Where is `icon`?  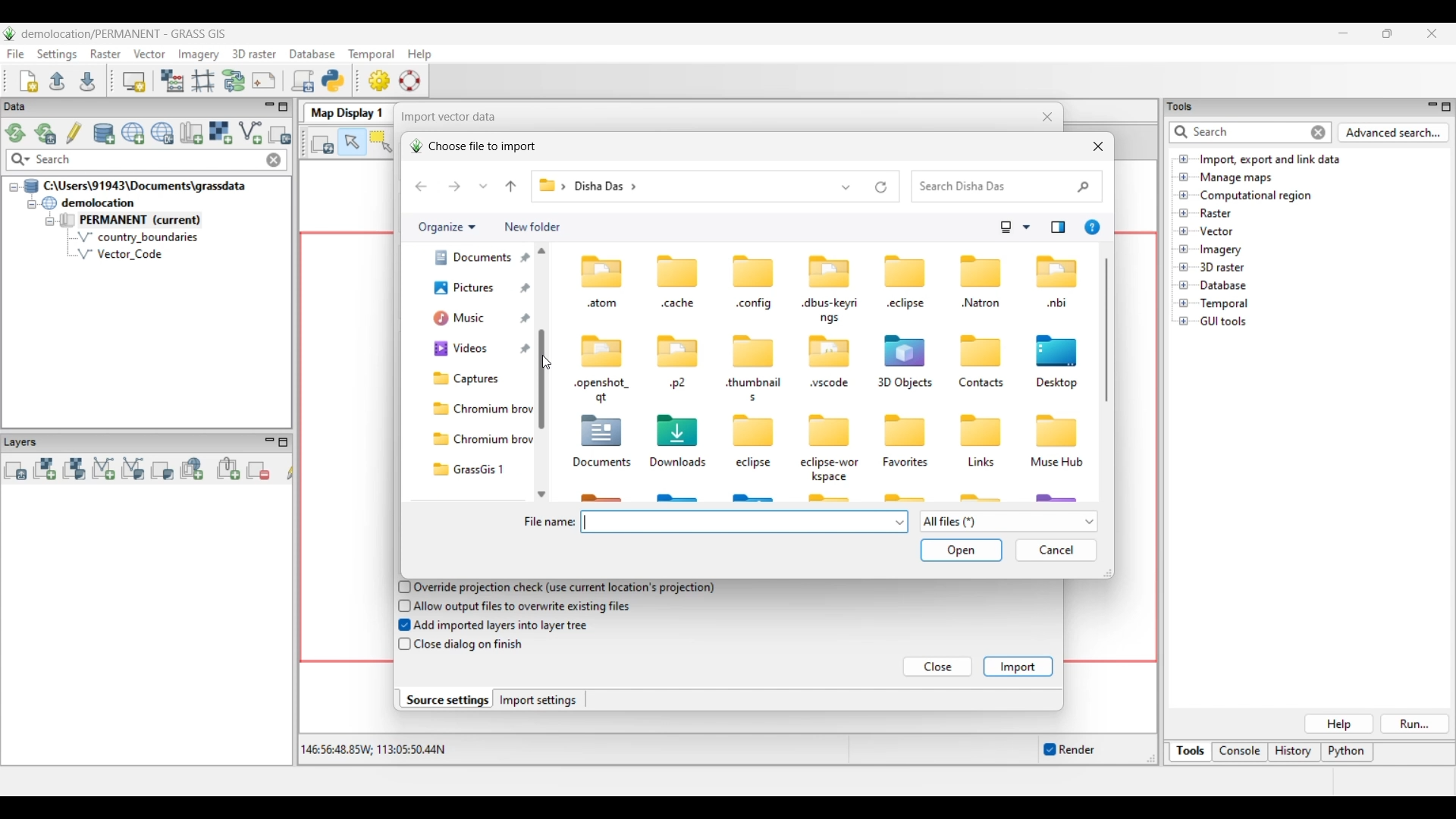
icon is located at coordinates (830, 352).